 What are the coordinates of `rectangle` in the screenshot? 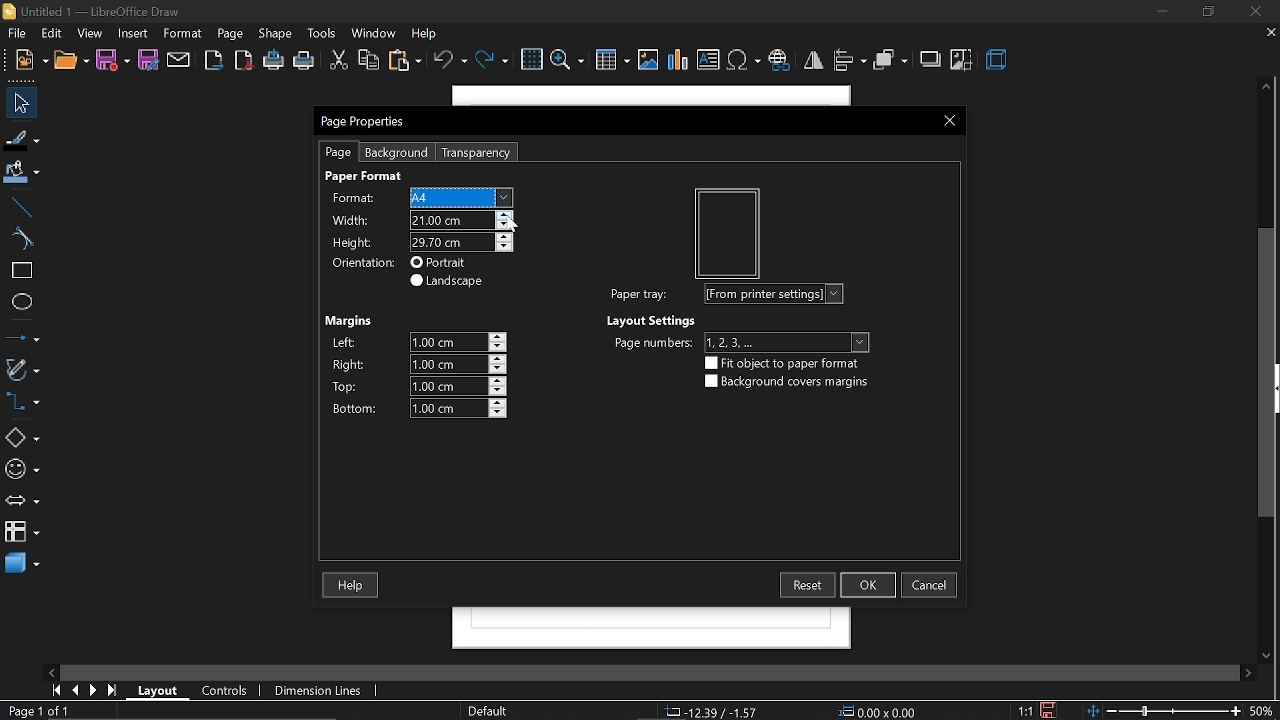 It's located at (22, 273).